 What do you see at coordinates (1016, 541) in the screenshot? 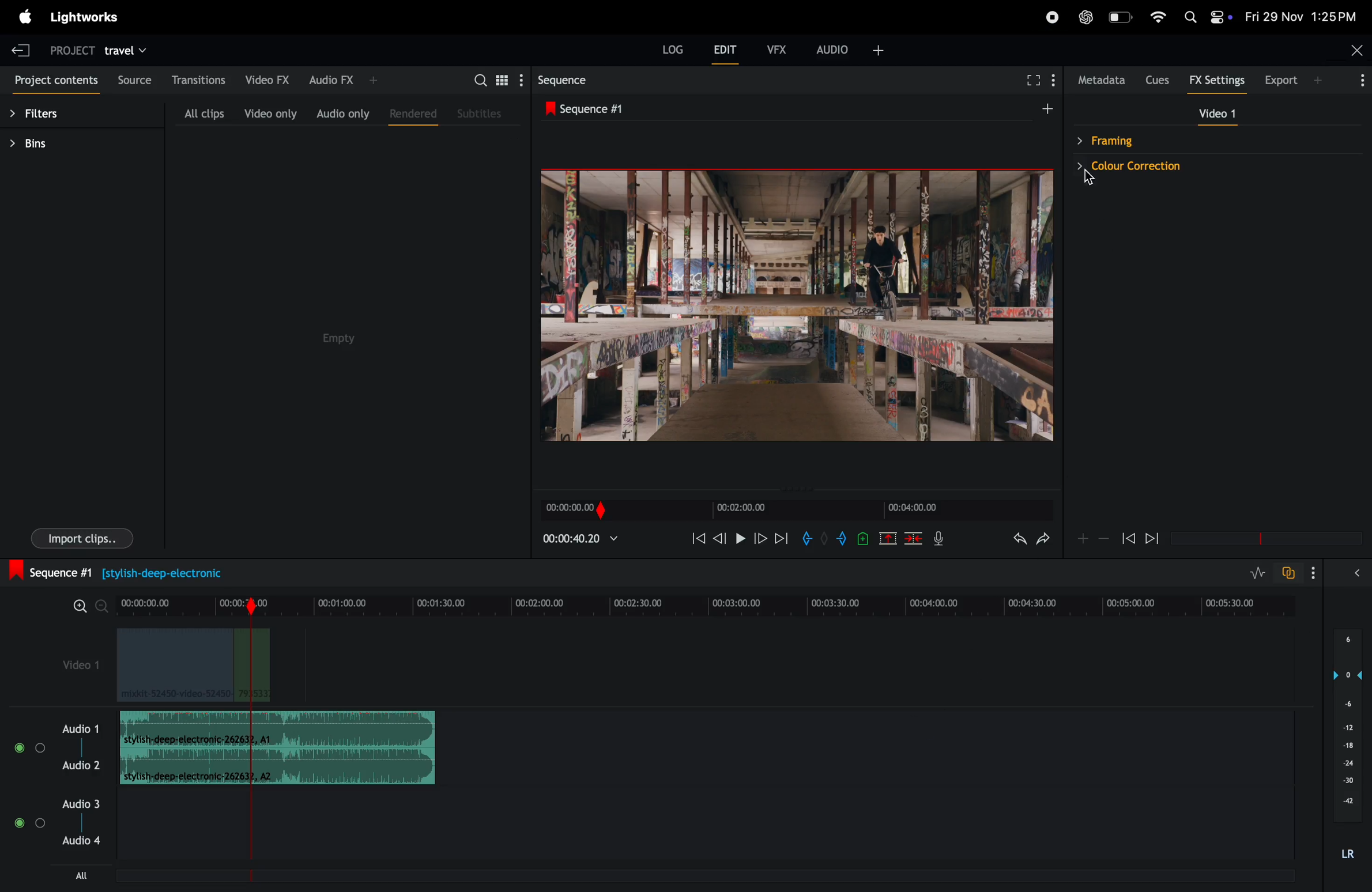
I see `undo` at bounding box center [1016, 541].